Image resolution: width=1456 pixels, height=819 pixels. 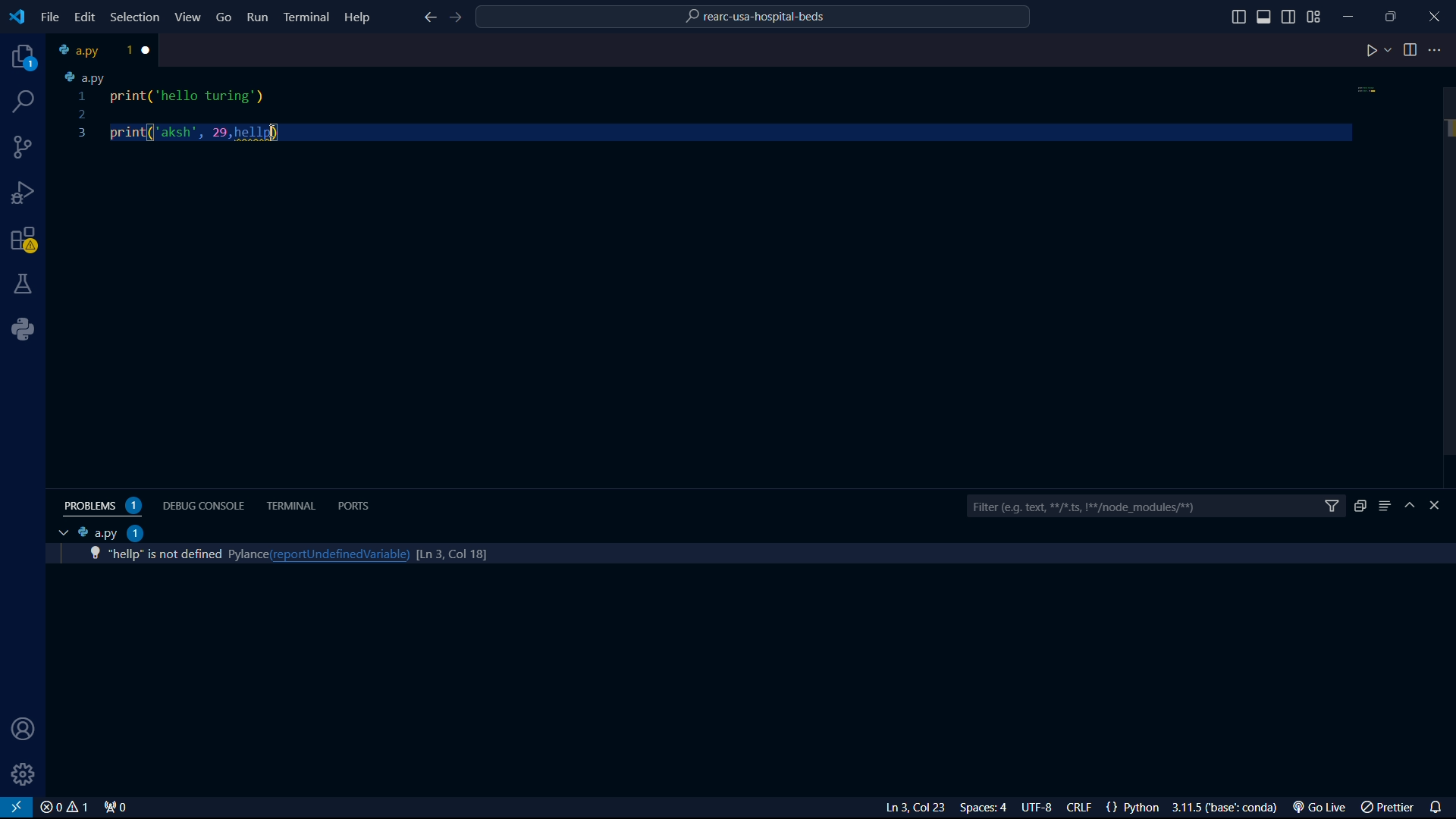 I want to click on Terminal, so click(x=306, y=16).